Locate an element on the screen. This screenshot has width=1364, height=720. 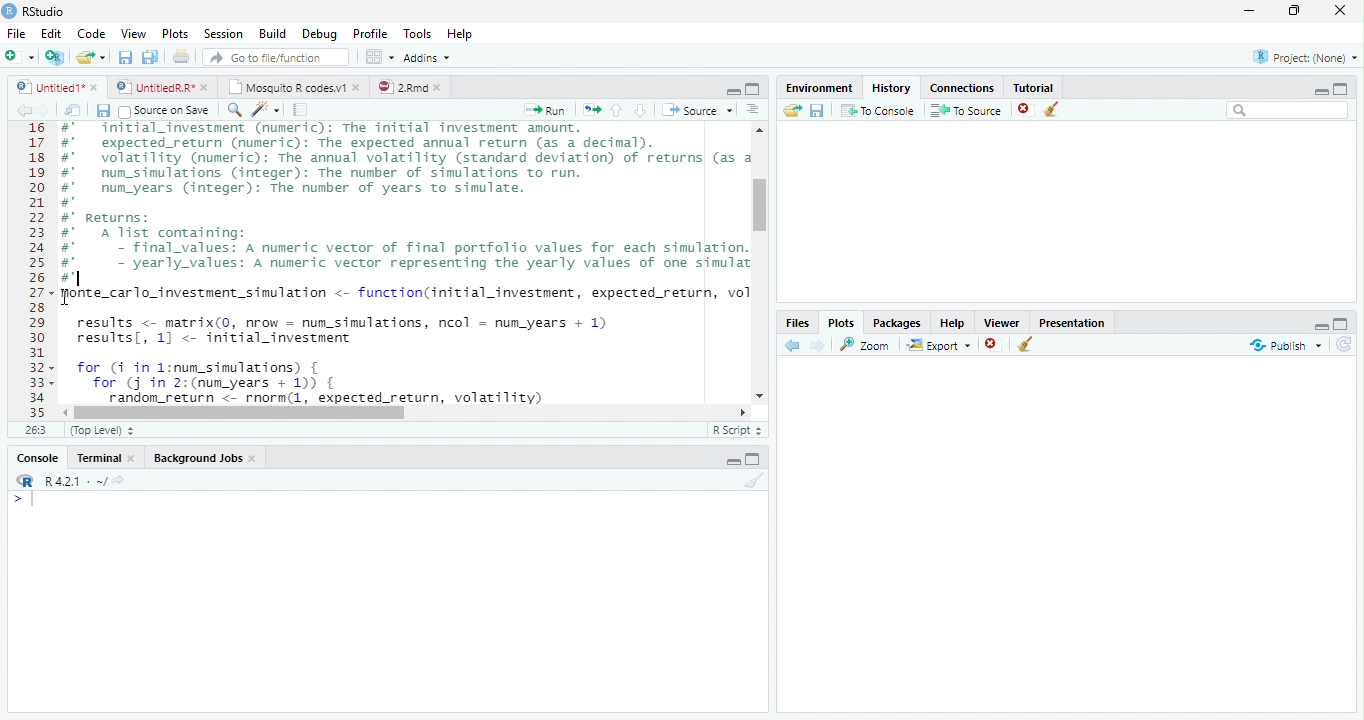
Go to previous section of code is located at coordinates (617, 112).